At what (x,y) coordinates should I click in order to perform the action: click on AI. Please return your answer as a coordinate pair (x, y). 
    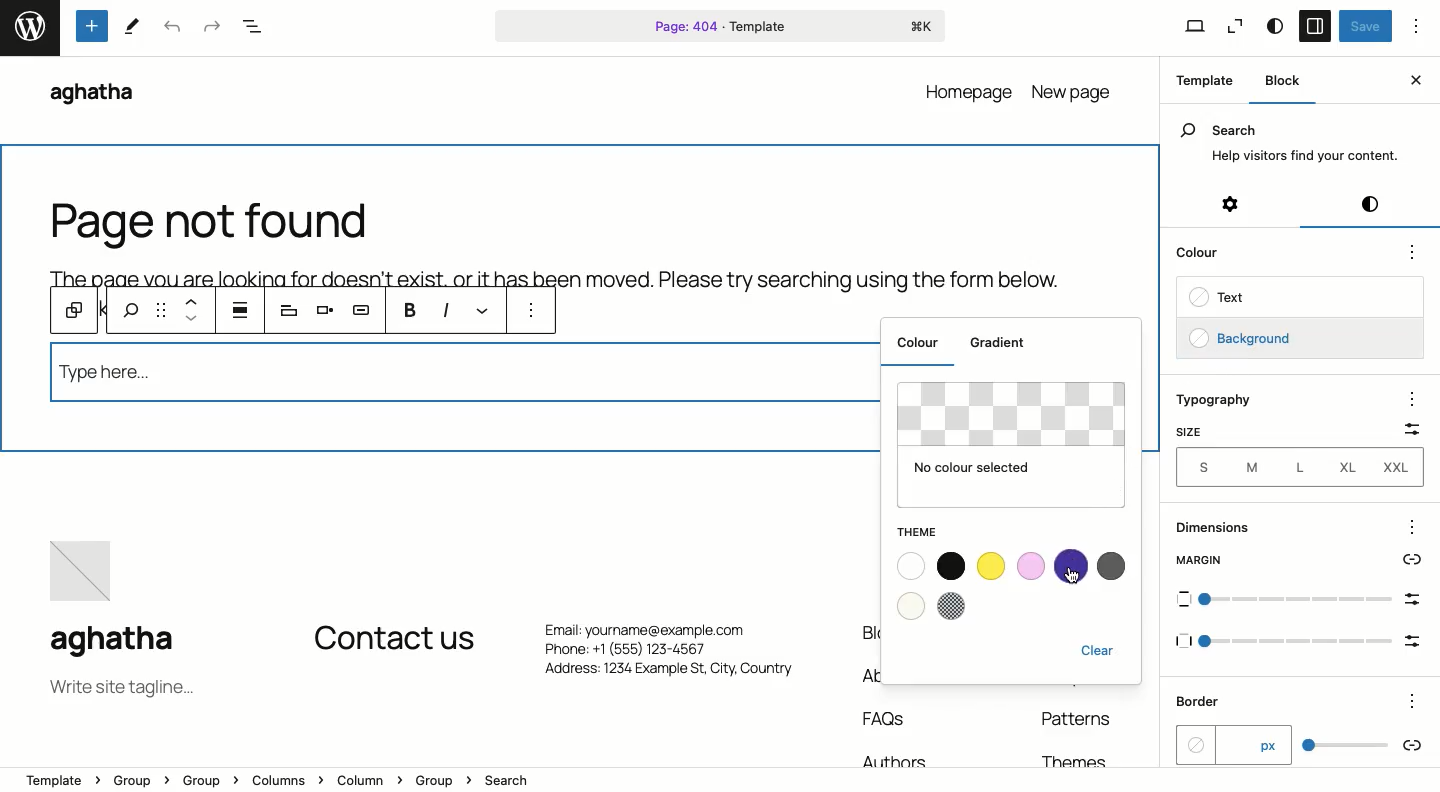
    Looking at the image, I should click on (363, 312).